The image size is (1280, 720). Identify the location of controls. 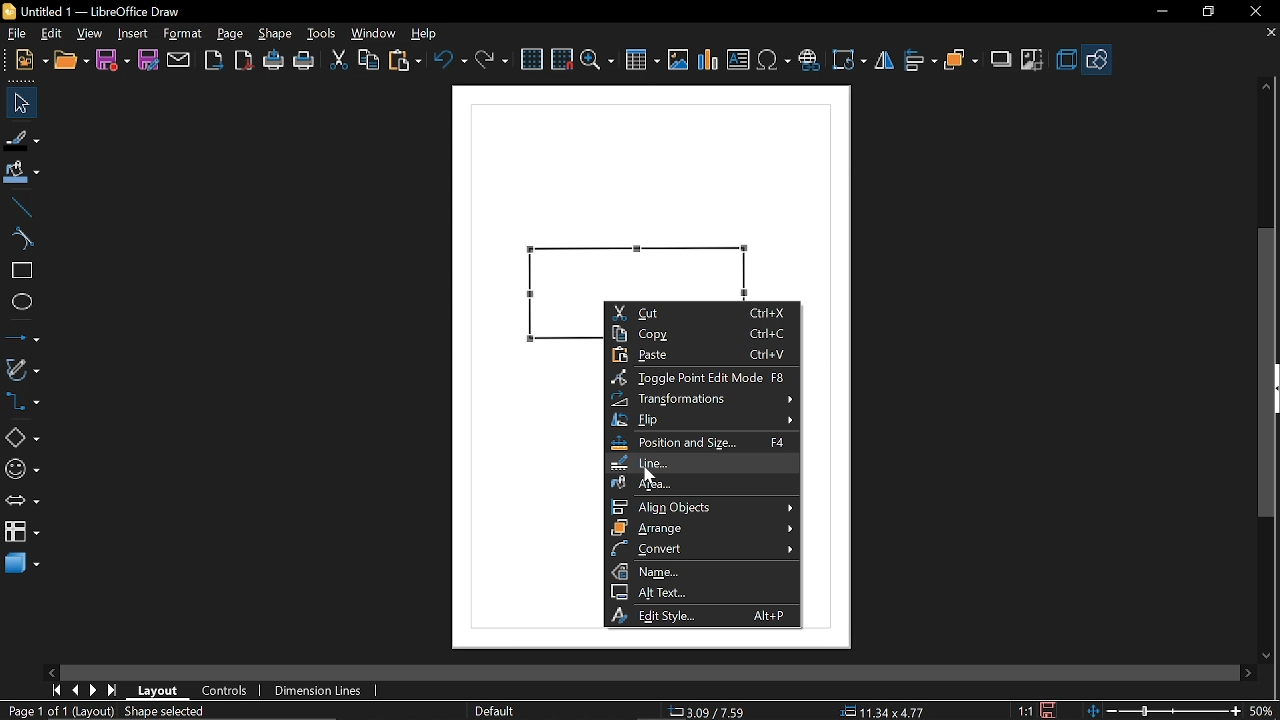
(225, 692).